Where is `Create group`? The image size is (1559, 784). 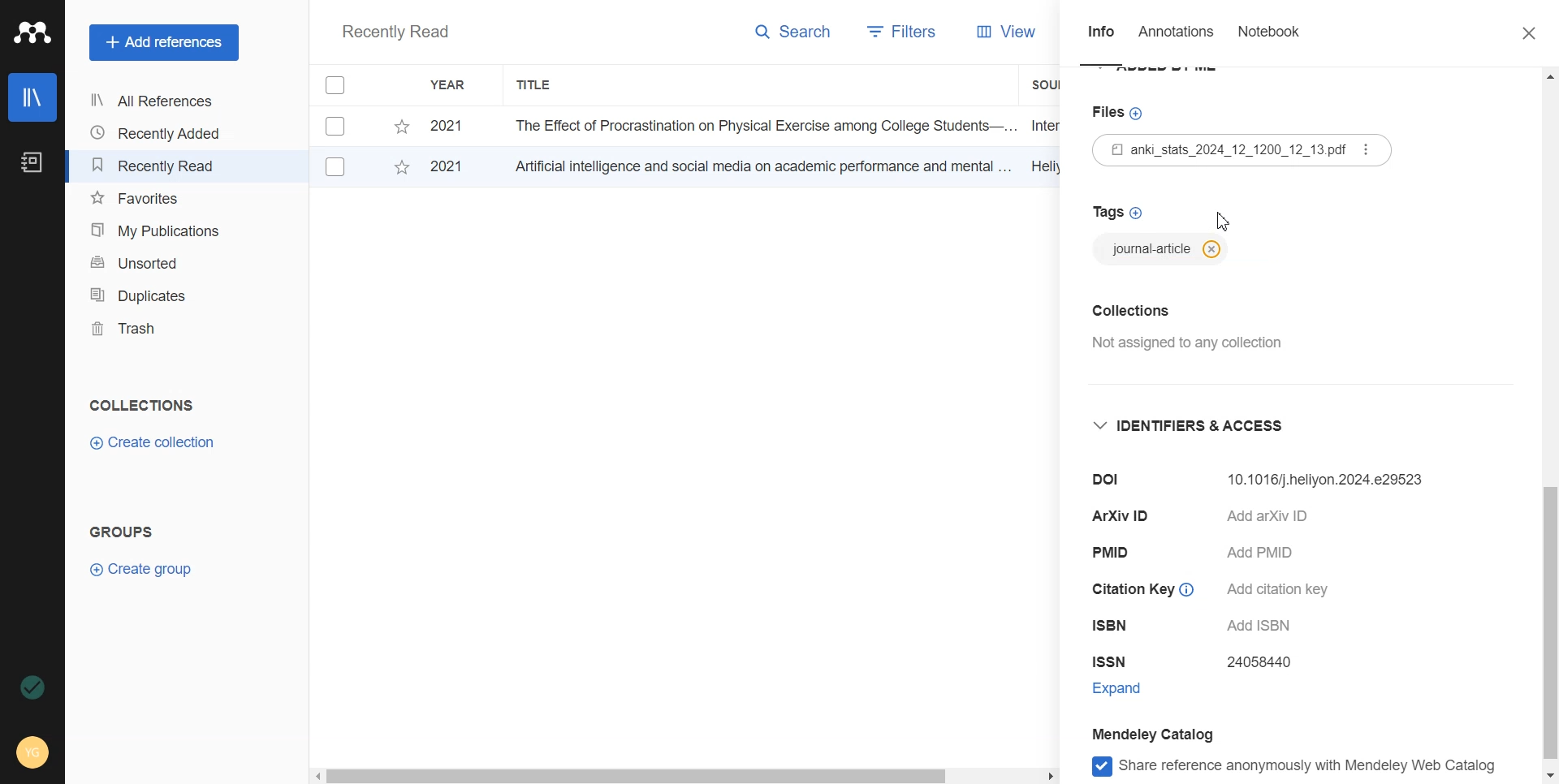
Create group is located at coordinates (142, 567).